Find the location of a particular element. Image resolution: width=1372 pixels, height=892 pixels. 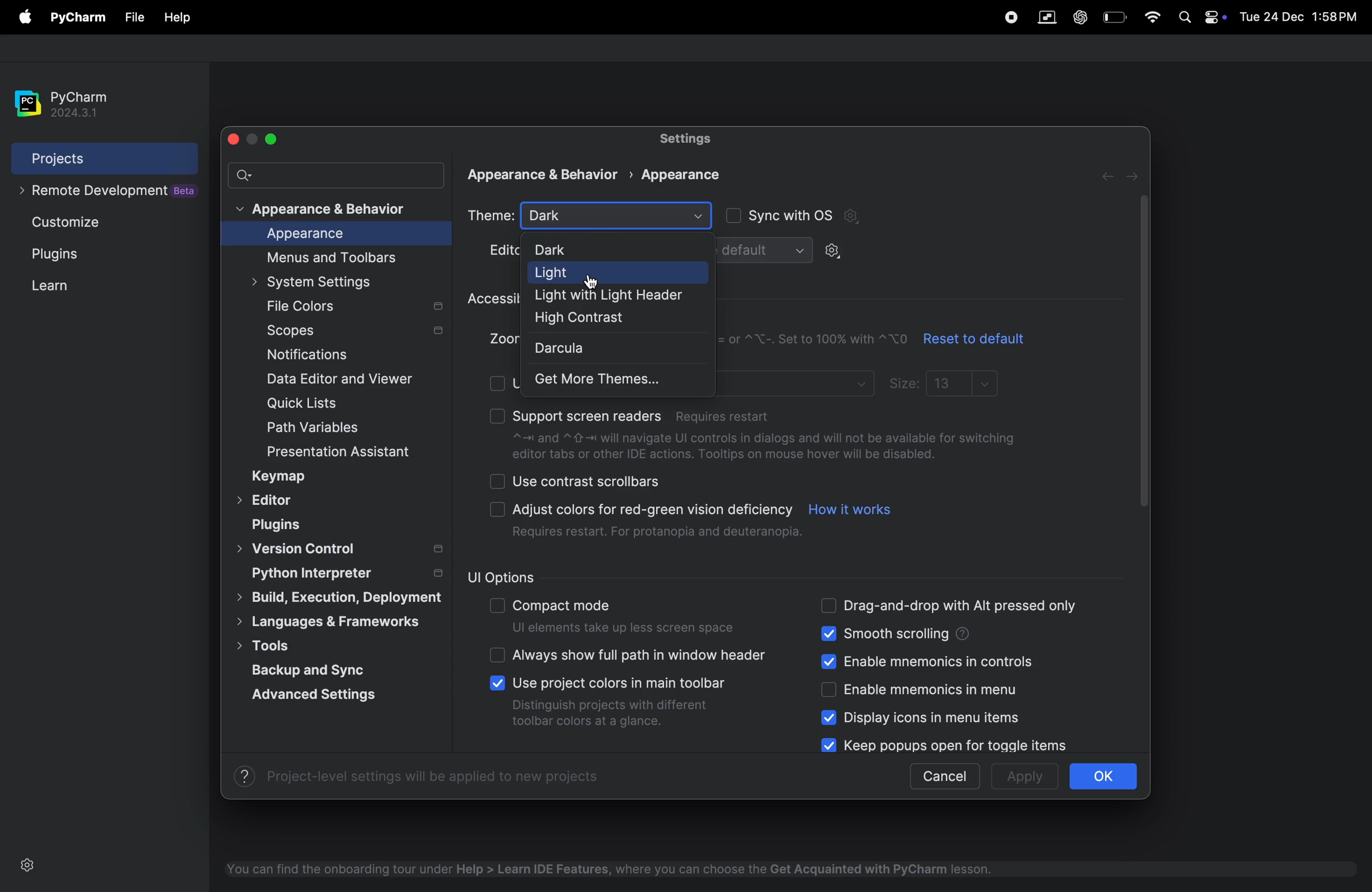

check boxes is located at coordinates (825, 744).